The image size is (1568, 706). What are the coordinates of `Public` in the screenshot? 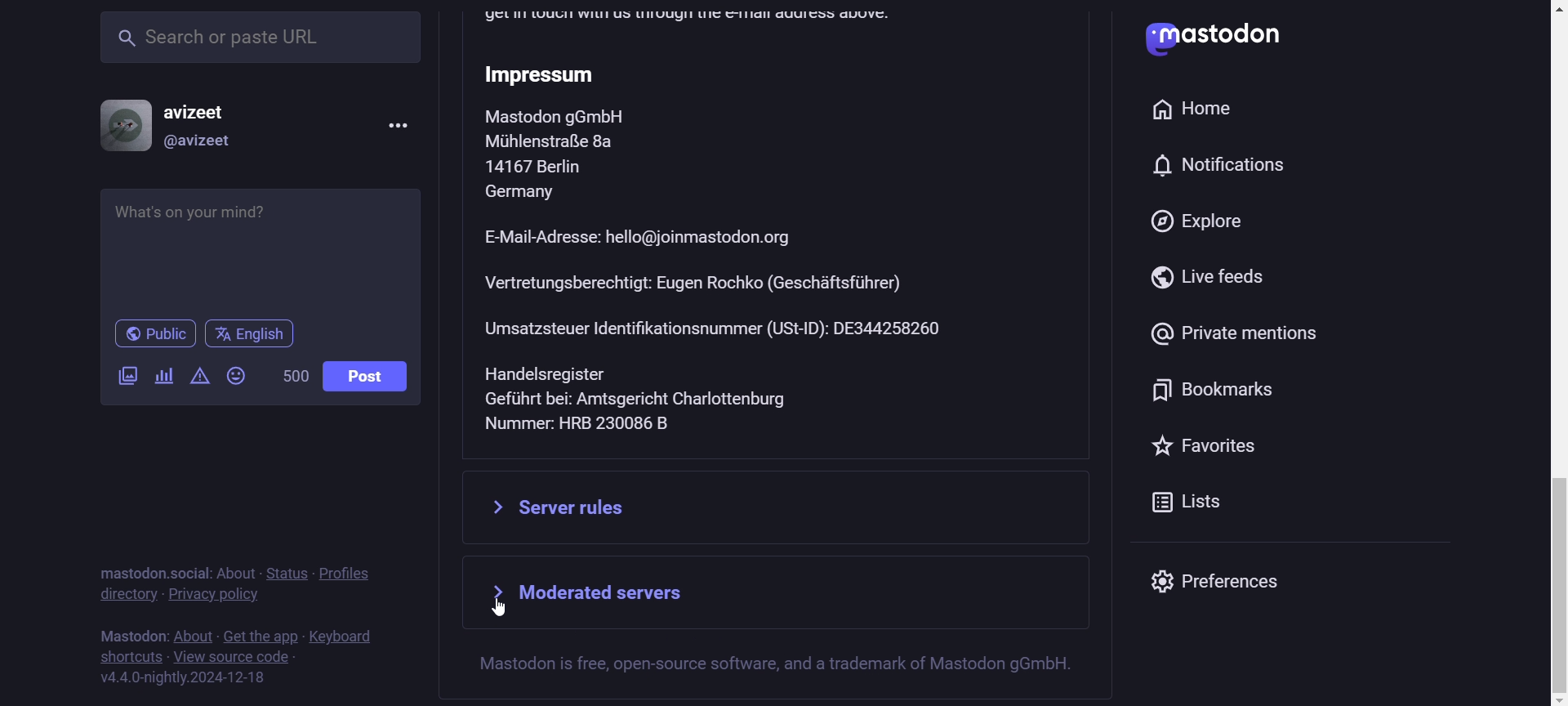 It's located at (155, 334).